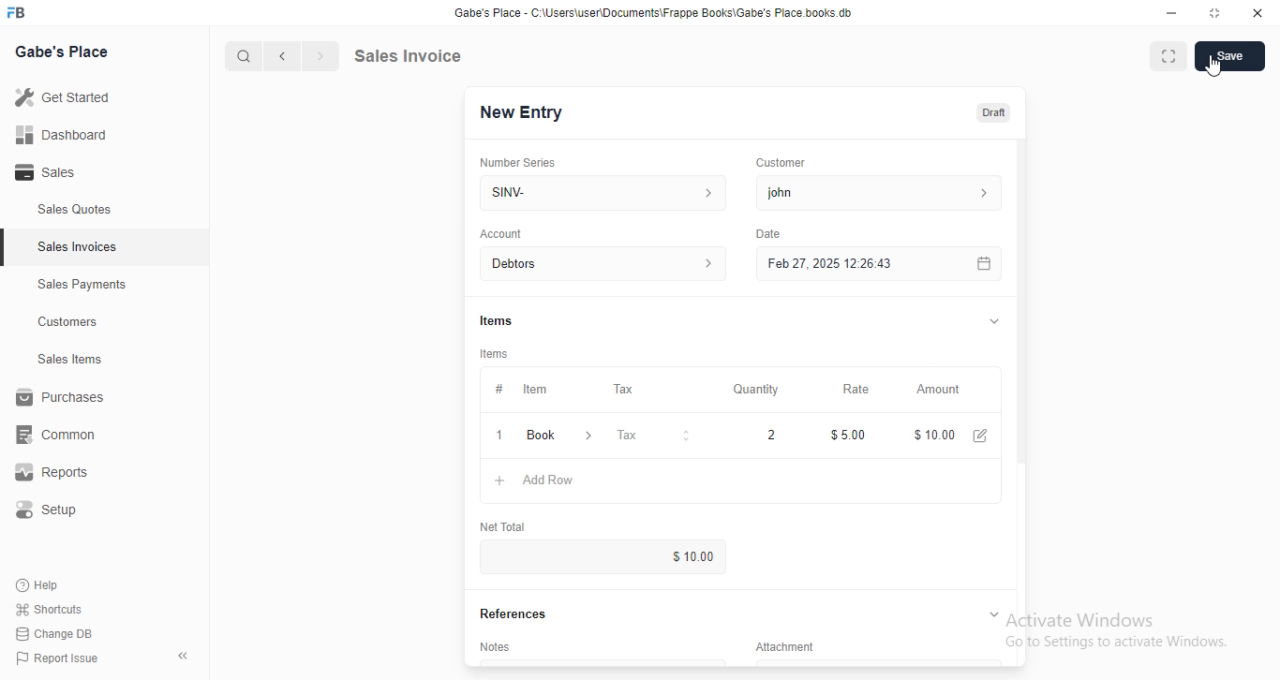 This screenshot has width=1280, height=680. What do you see at coordinates (1215, 14) in the screenshot?
I see `Expand` at bounding box center [1215, 14].